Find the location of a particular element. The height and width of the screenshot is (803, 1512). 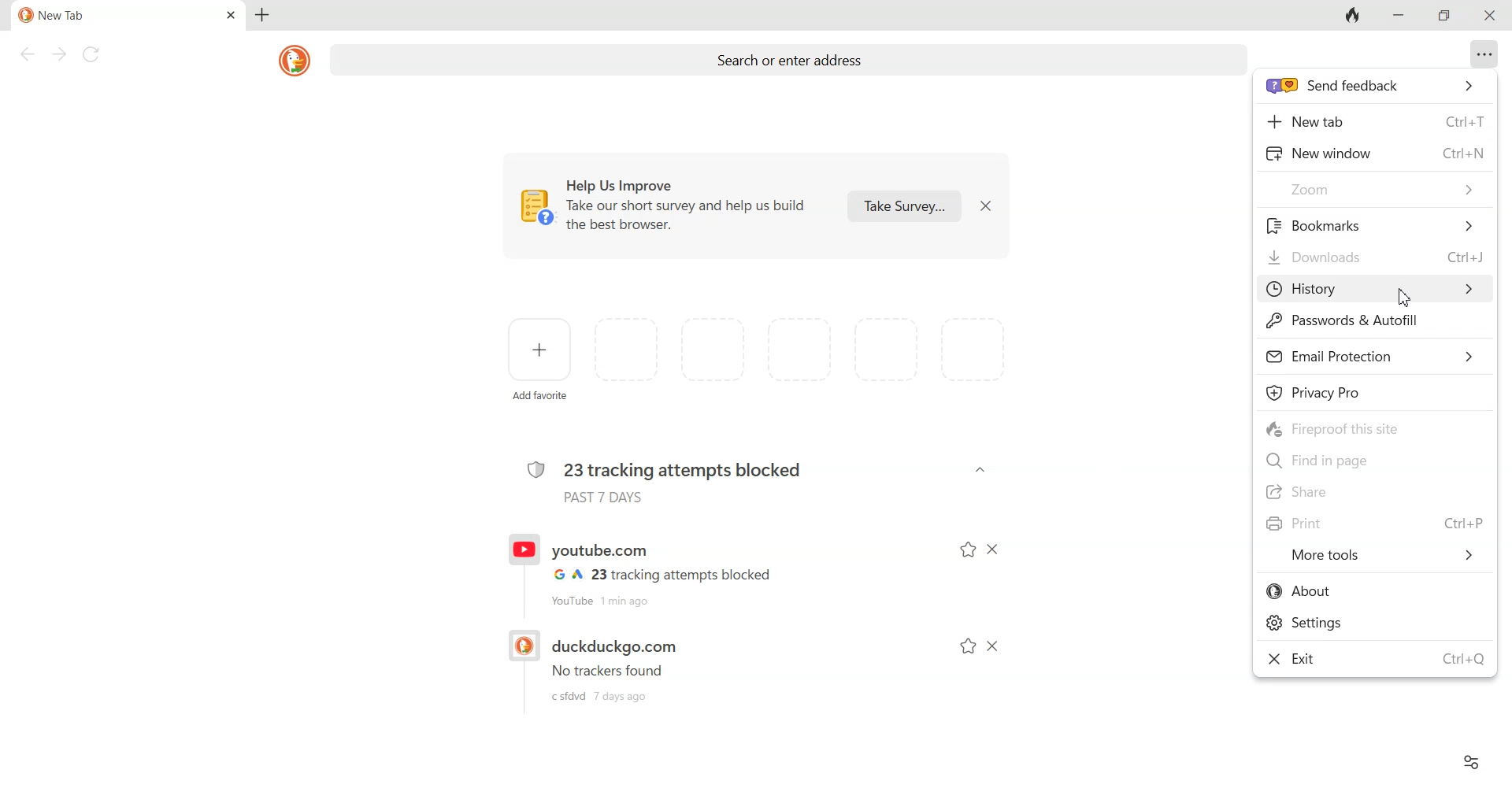

Fire button is located at coordinates (1353, 16).